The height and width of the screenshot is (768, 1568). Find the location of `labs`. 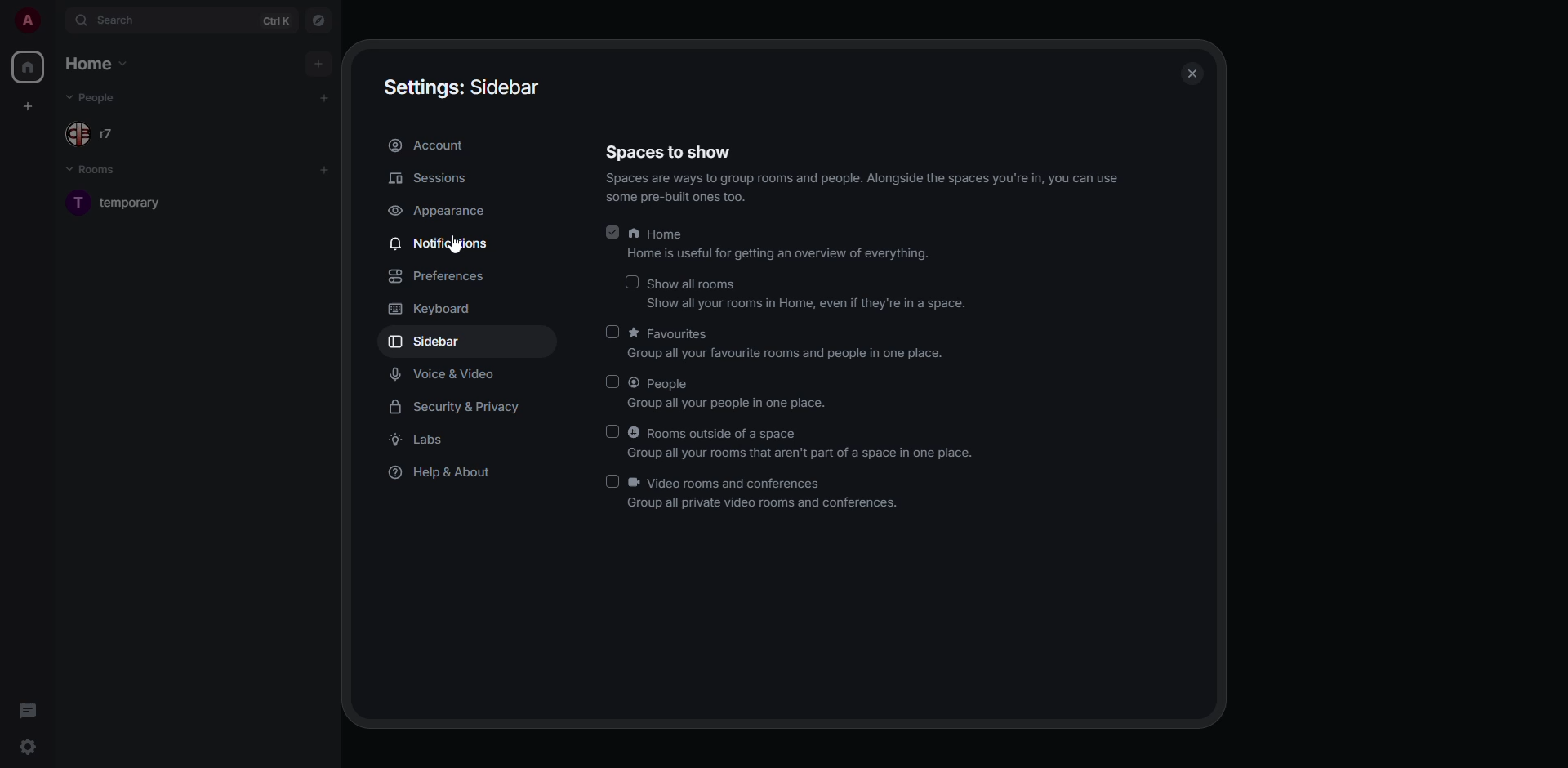

labs is located at coordinates (423, 439).